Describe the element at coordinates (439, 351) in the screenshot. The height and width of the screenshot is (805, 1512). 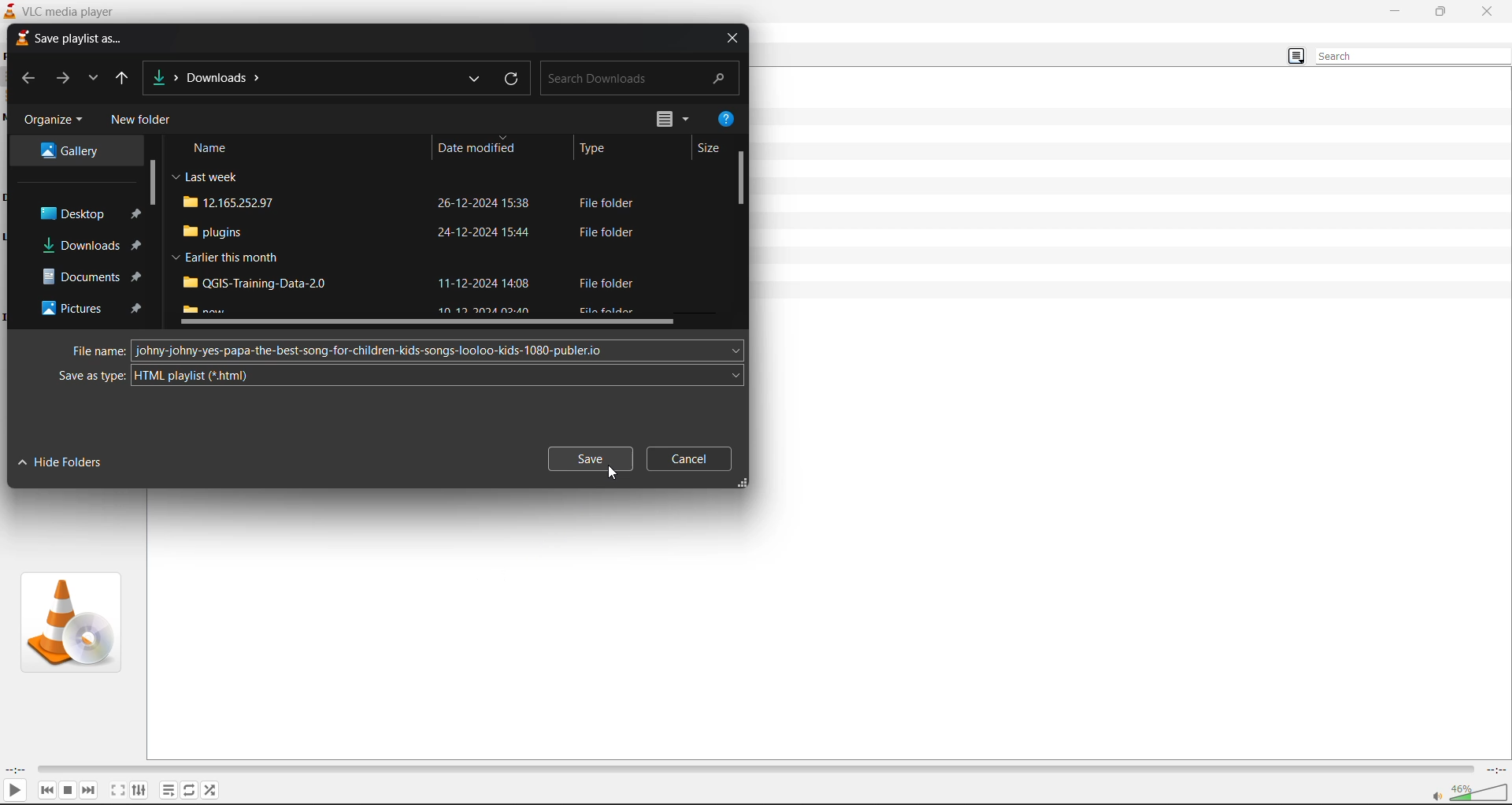
I see `add file name` at that location.